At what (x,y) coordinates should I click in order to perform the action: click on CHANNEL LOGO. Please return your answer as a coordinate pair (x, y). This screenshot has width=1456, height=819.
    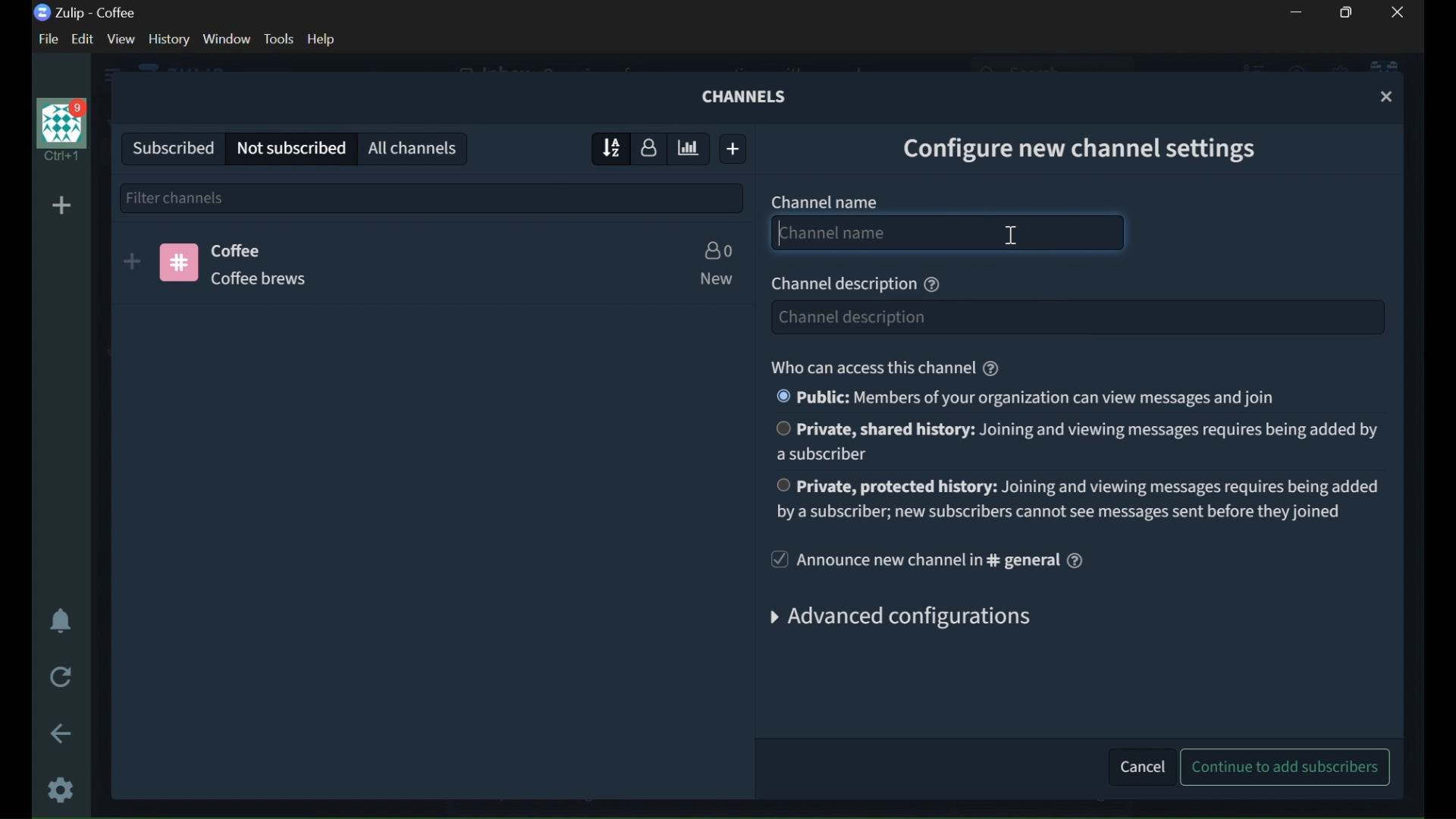
    Looking at the image, I should click on (179, 262).